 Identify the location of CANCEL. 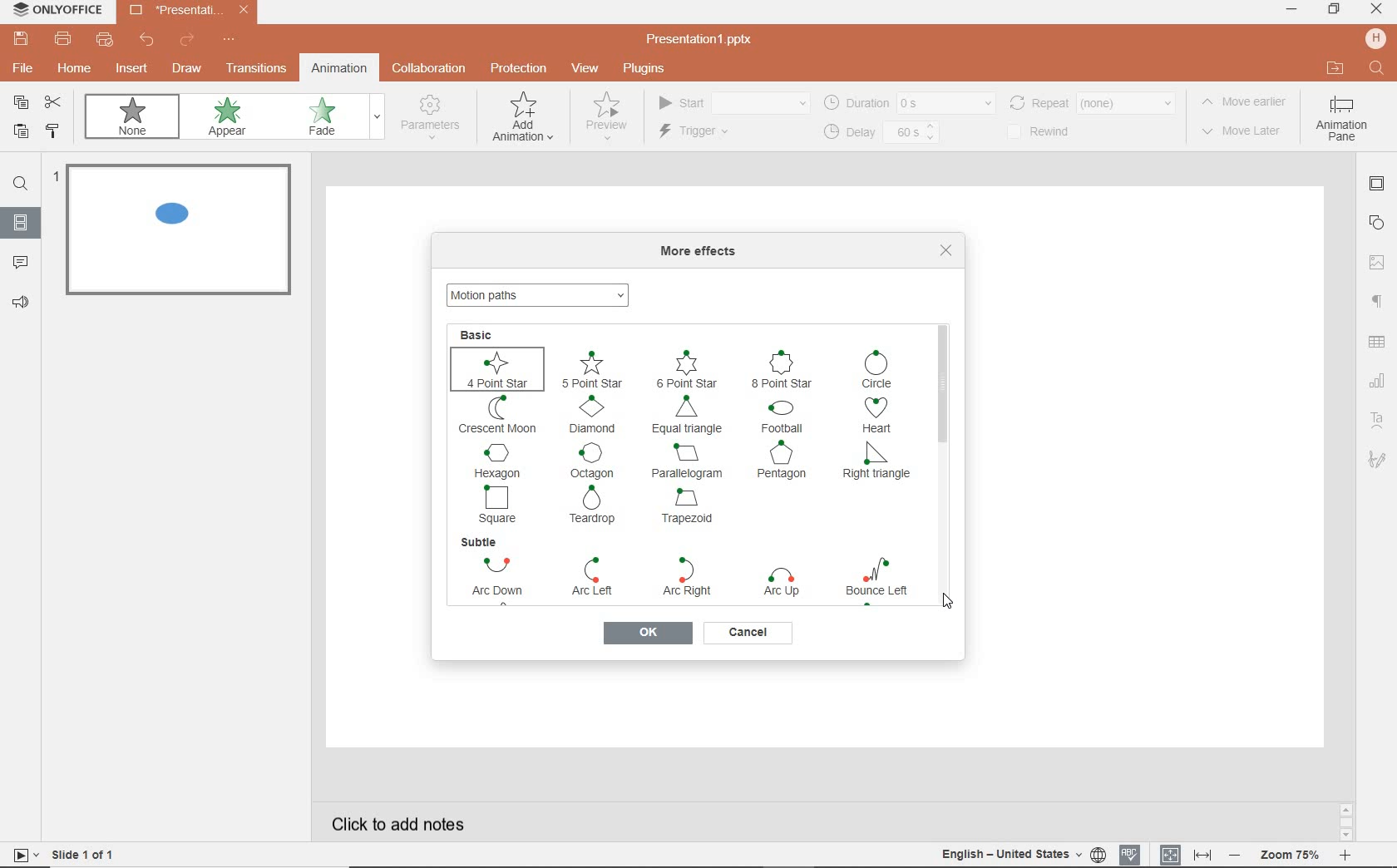
(748, 633).